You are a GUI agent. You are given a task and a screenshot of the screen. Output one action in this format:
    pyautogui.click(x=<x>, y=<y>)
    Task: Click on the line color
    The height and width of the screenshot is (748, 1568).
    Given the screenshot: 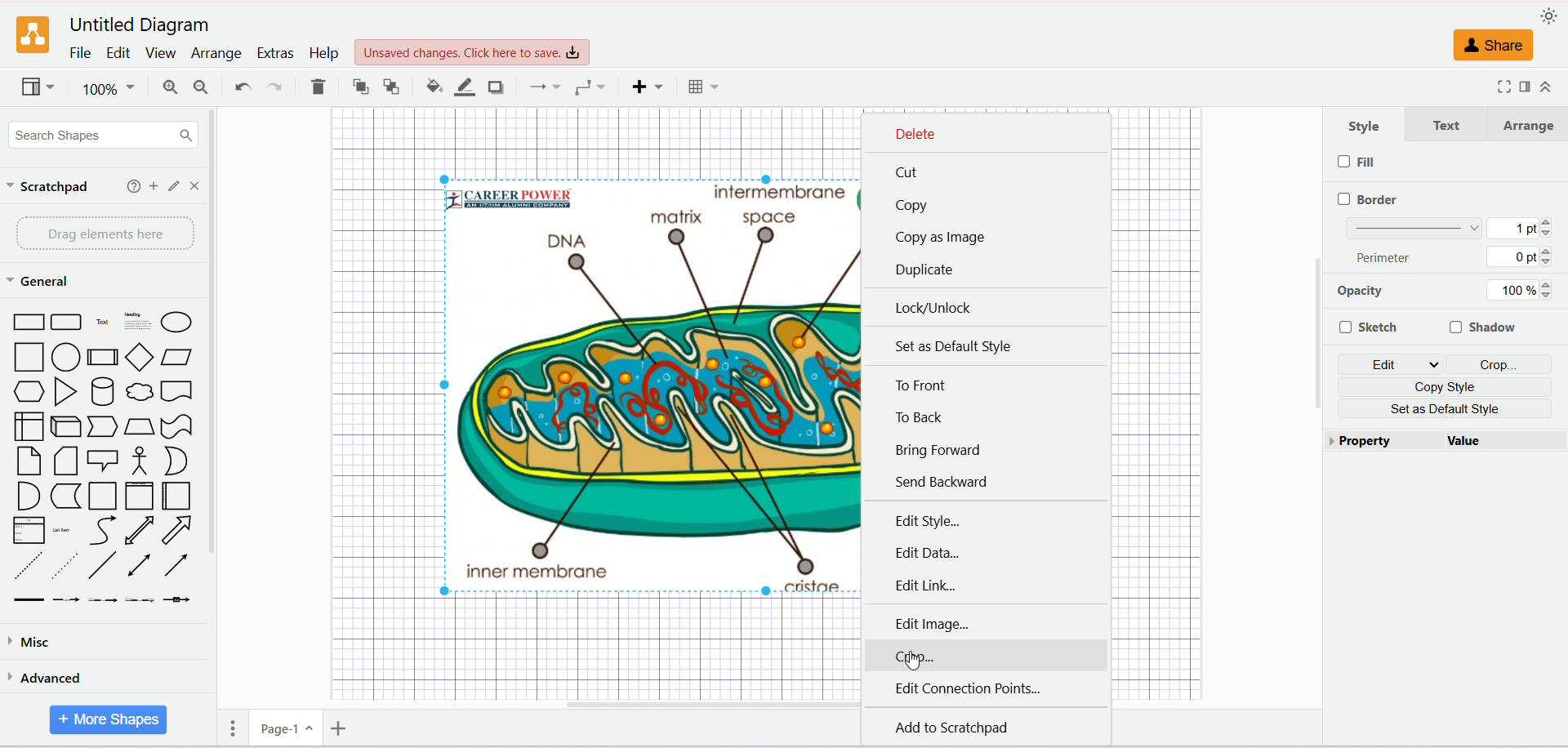 What is the action you would take?
    pyautogui.click(x=464, y=87)
    